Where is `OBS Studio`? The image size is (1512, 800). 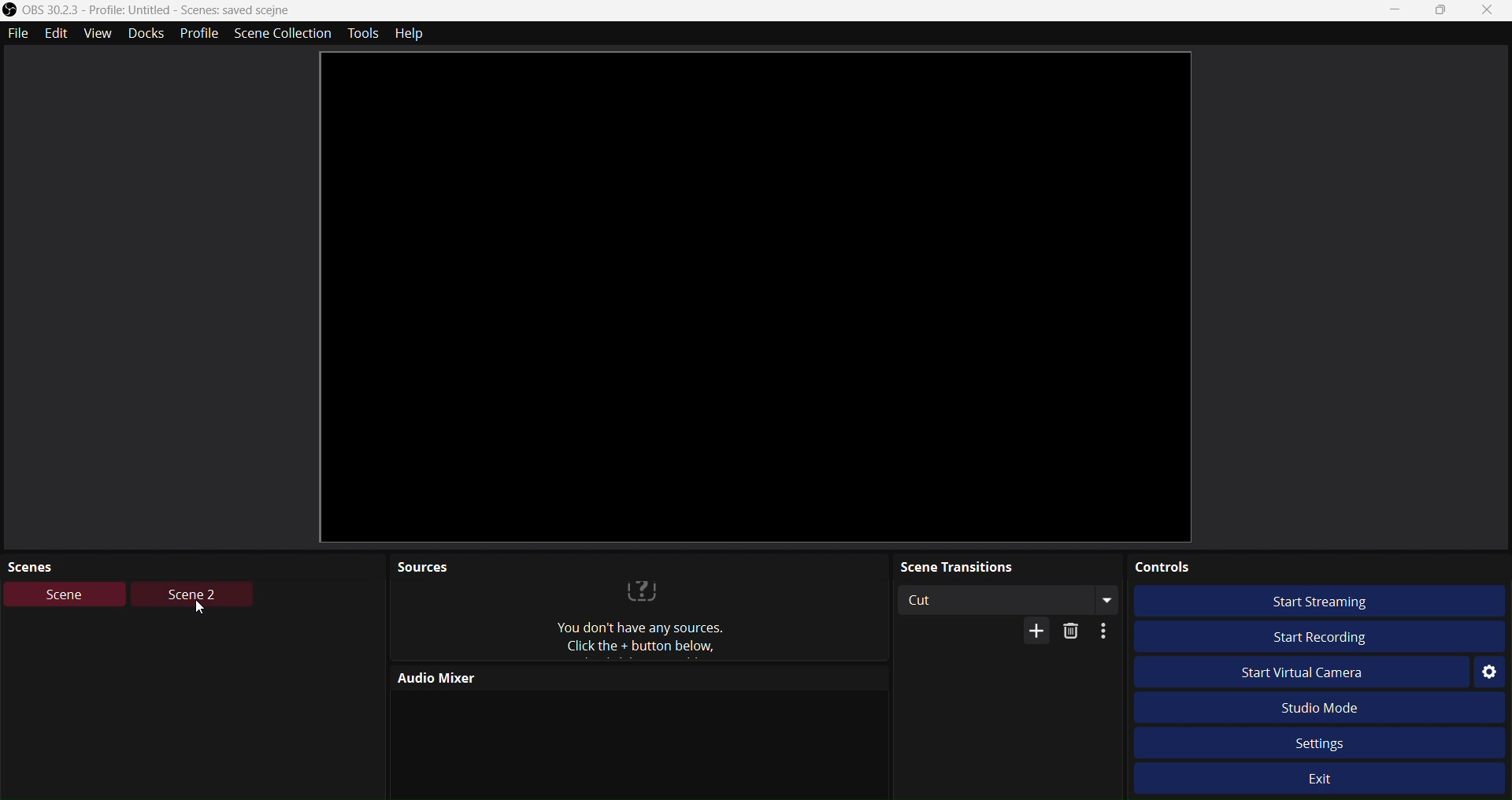
OBS Studio is located at coordinates (148, 10).